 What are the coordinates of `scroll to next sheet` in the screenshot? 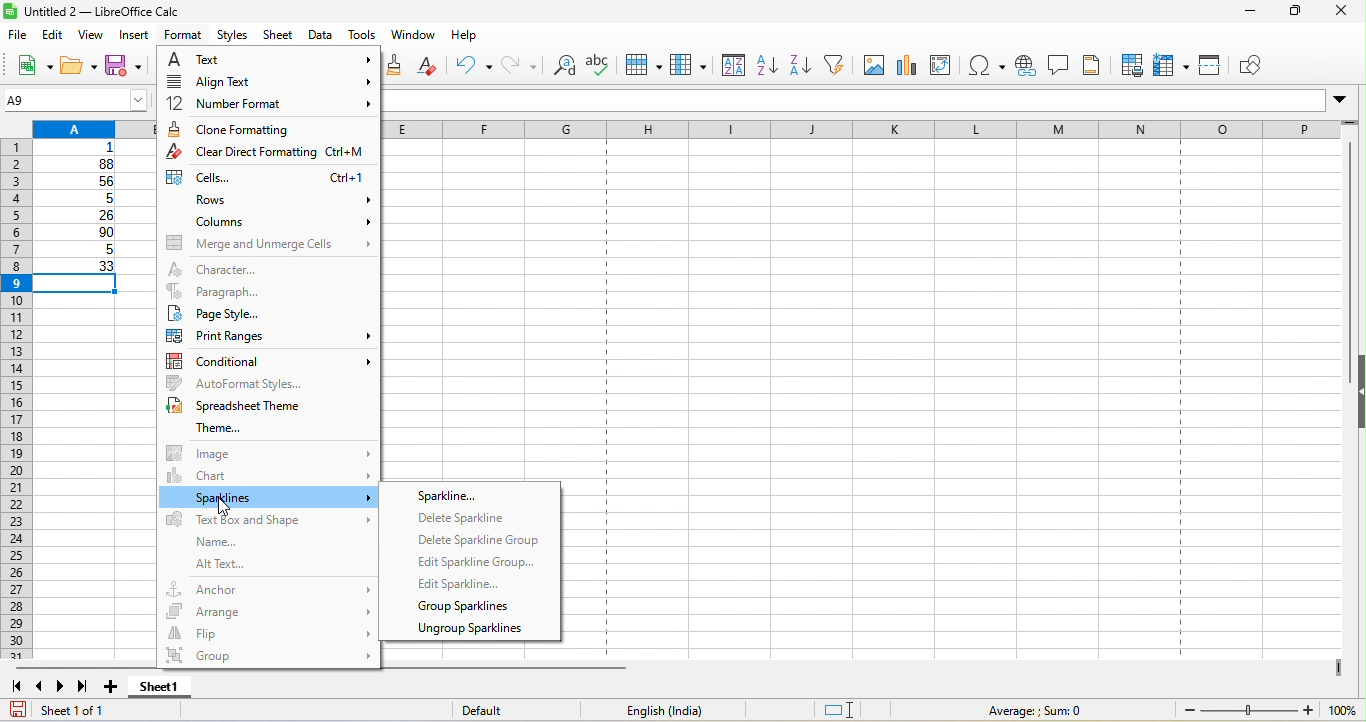 It's located at (65, 689).